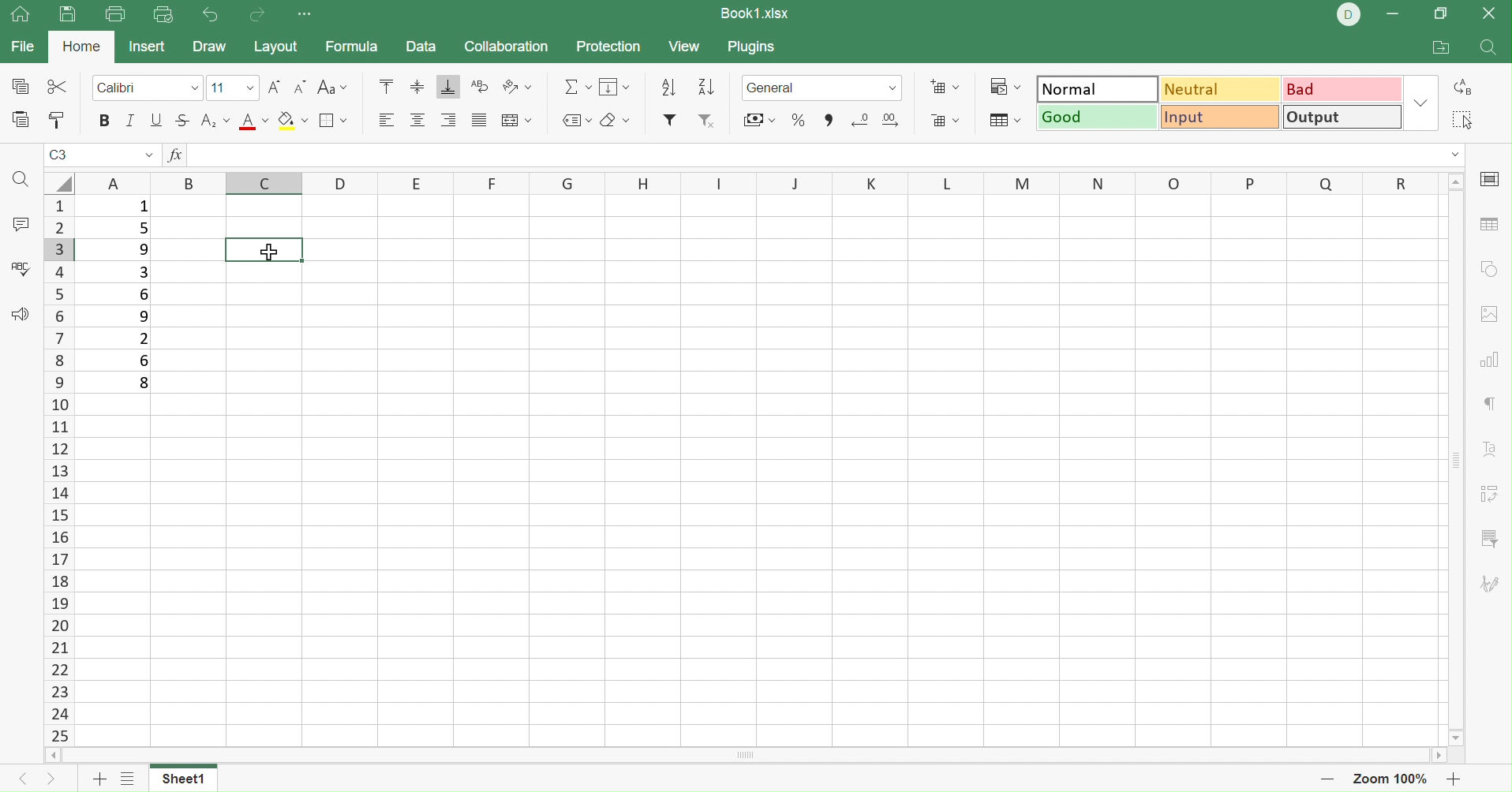 The height and width of the screenshot is (792, 1512). I want to click on Next, so click(49, 781).